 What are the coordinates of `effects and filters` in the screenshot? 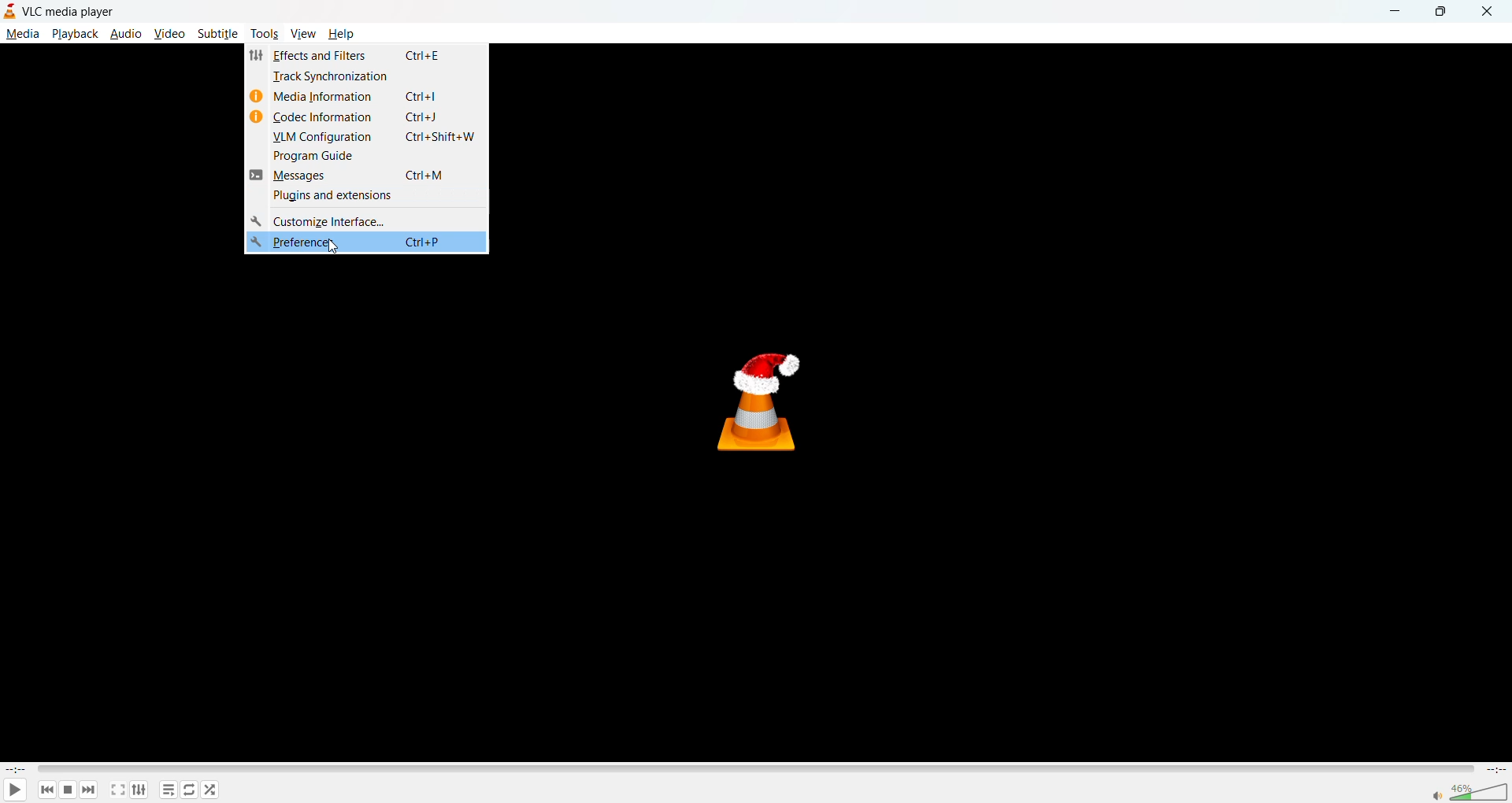 It's located at (364, 52).